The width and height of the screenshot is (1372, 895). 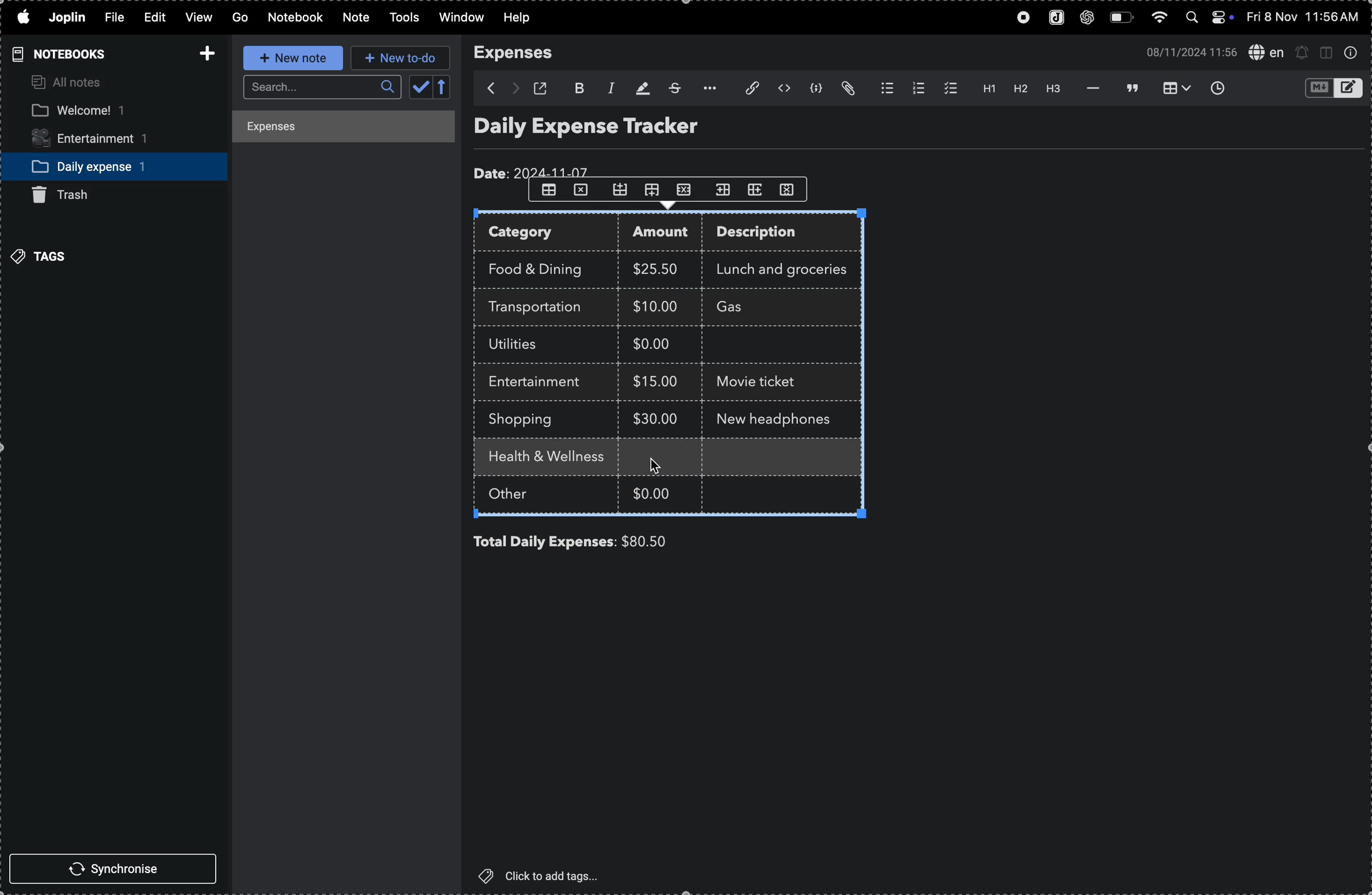 What do you see at coordinates (43, 255) in the screenshot?
I see `tags` at bounding box center [43, 255].